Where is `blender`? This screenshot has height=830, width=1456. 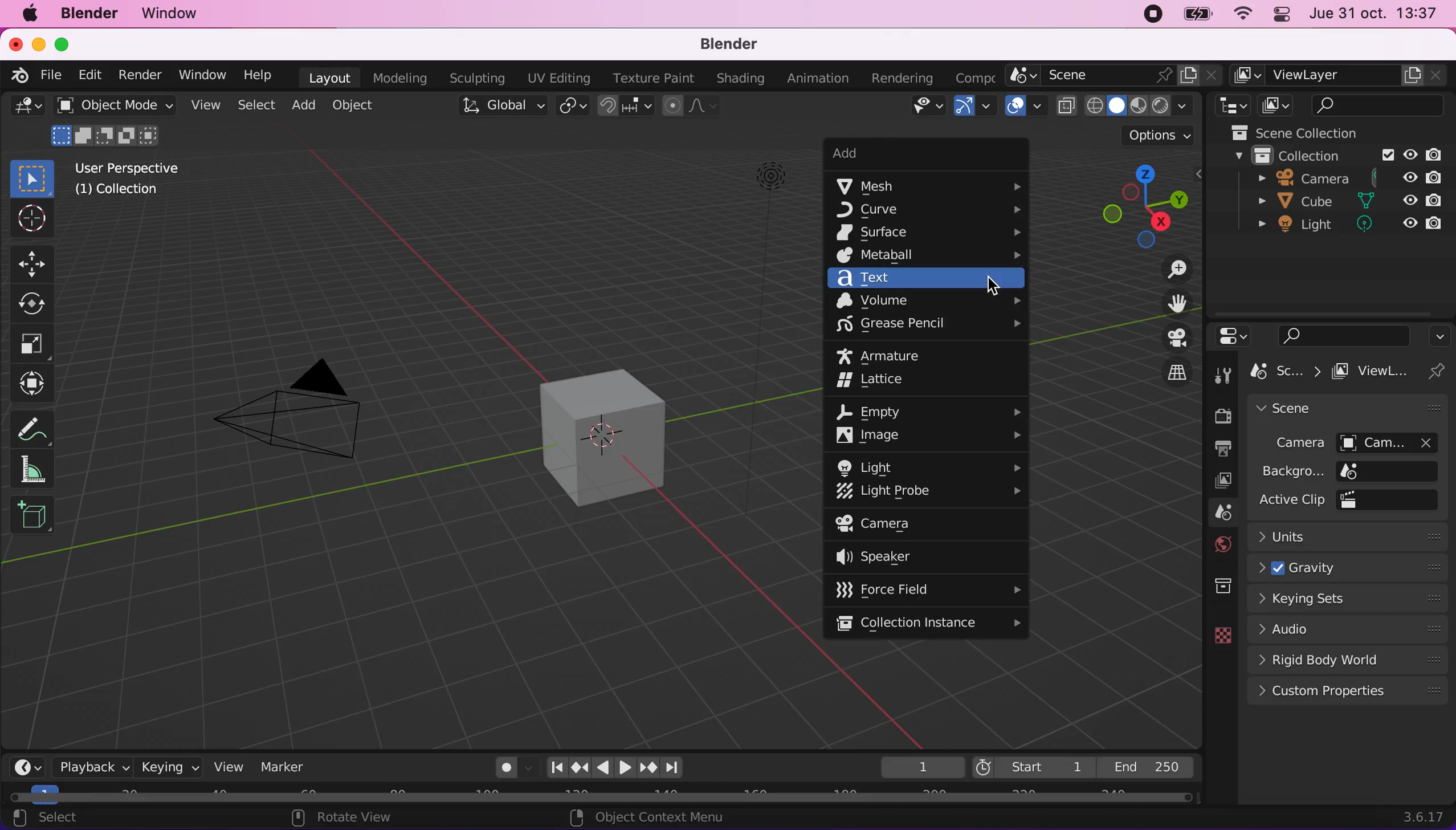 blender is located at coordinates (87, 15).